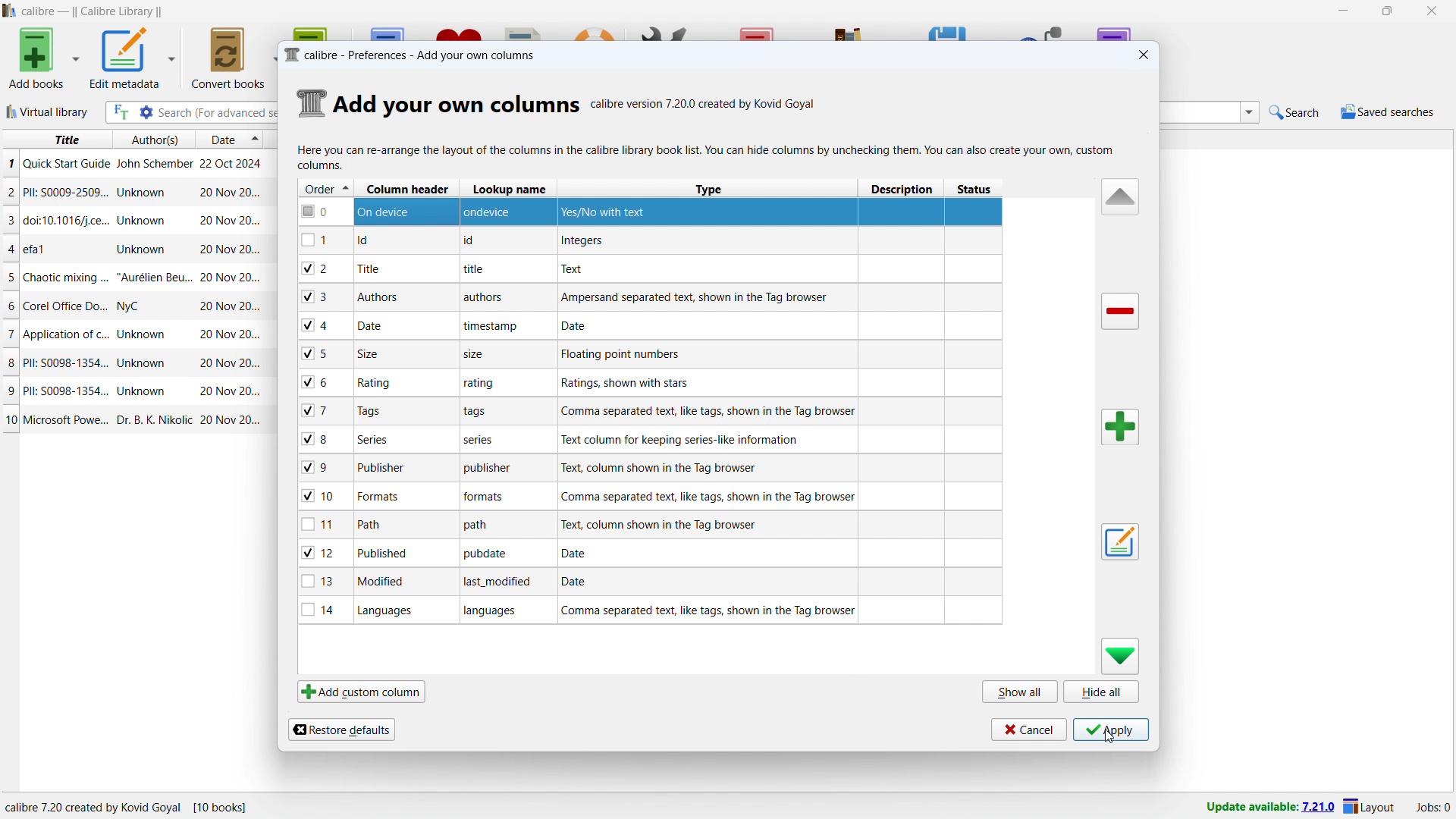 Image resolution: width=1456 pixels, height=819 pixels. I want to click on advanced search, so click(146, 112).